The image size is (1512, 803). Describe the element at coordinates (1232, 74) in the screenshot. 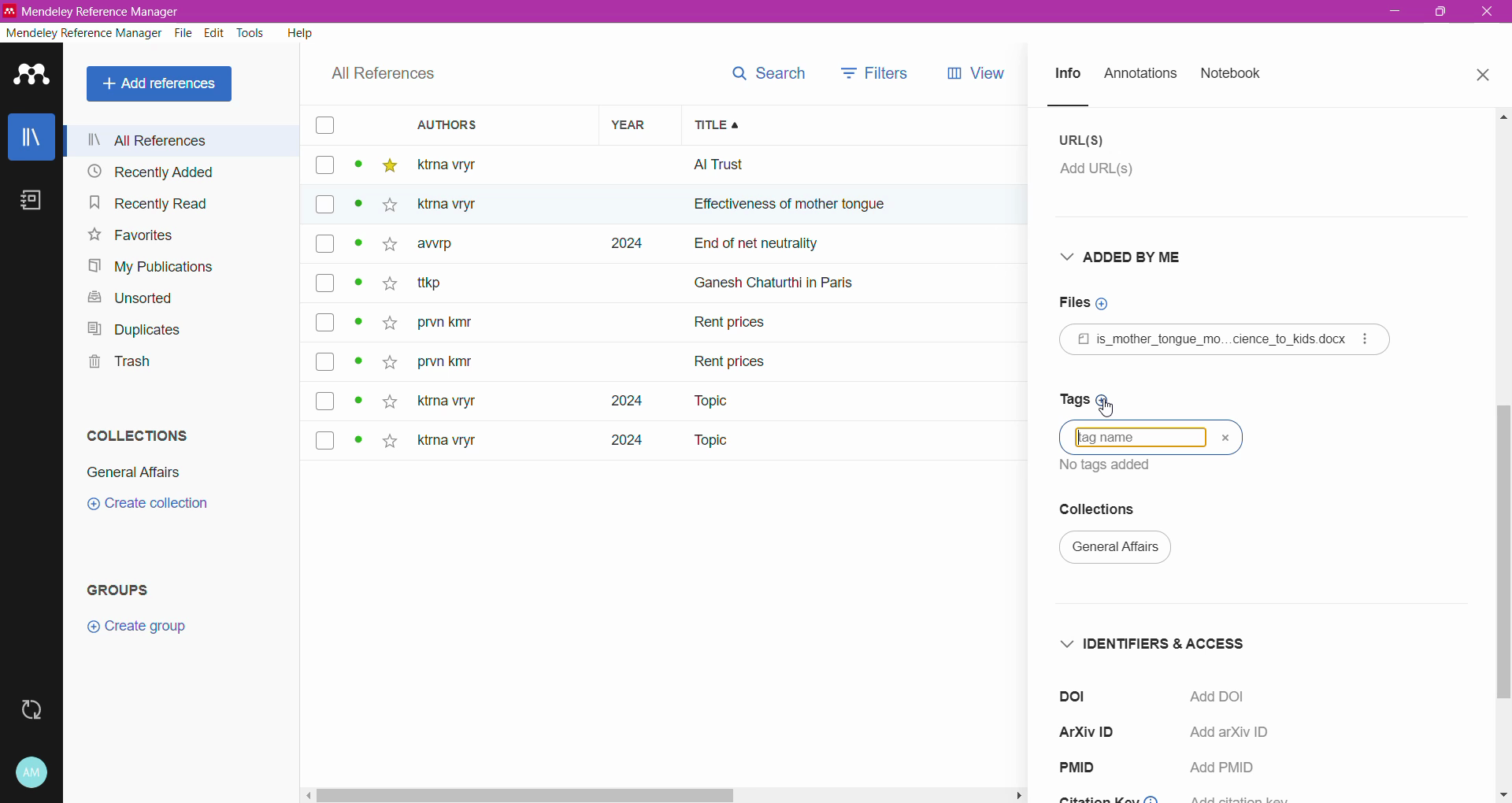

I see `Notebook` at that location.